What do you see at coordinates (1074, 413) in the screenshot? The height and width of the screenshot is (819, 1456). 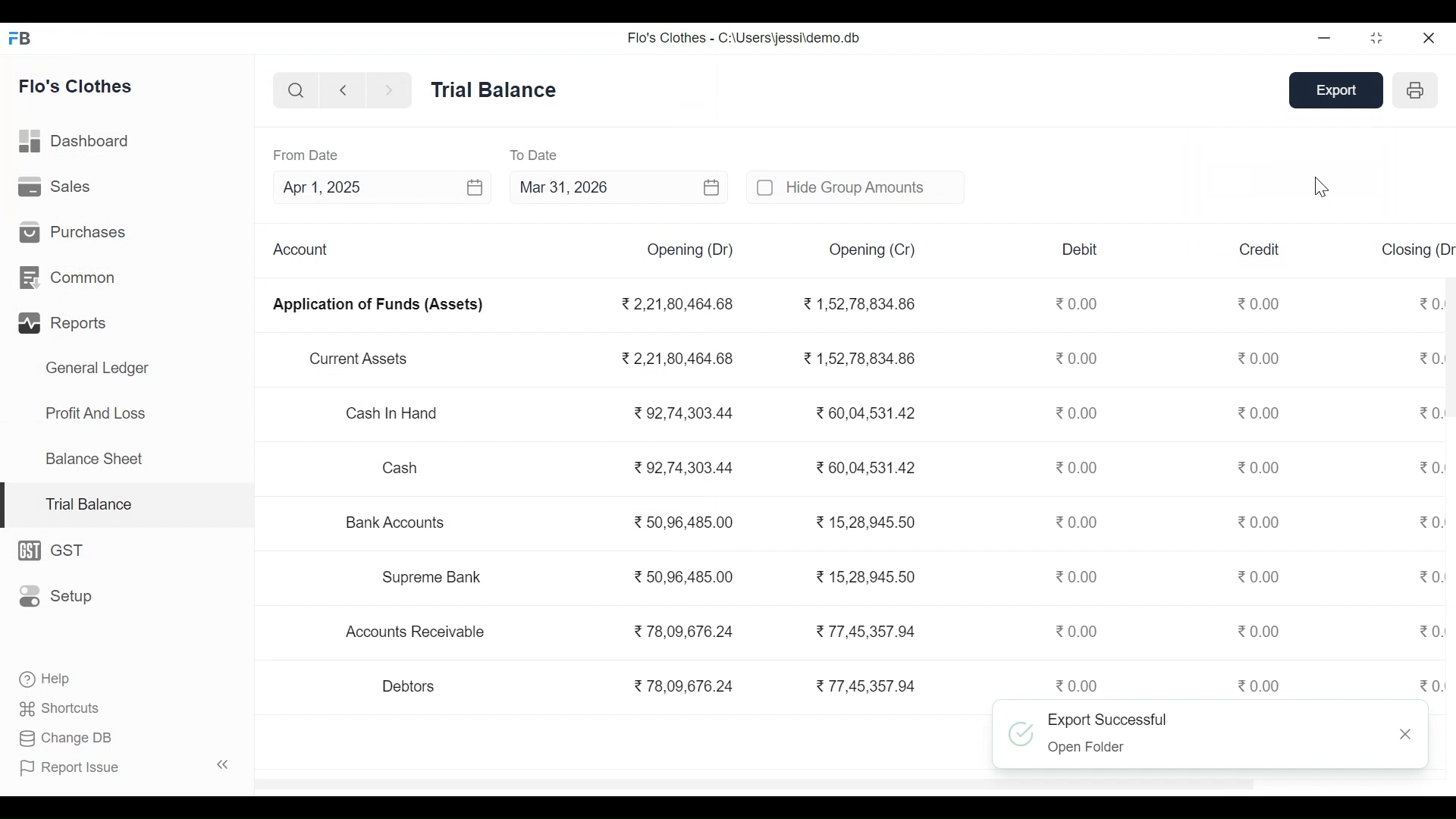 I see `0.00` at bounding box center [1074, 413].